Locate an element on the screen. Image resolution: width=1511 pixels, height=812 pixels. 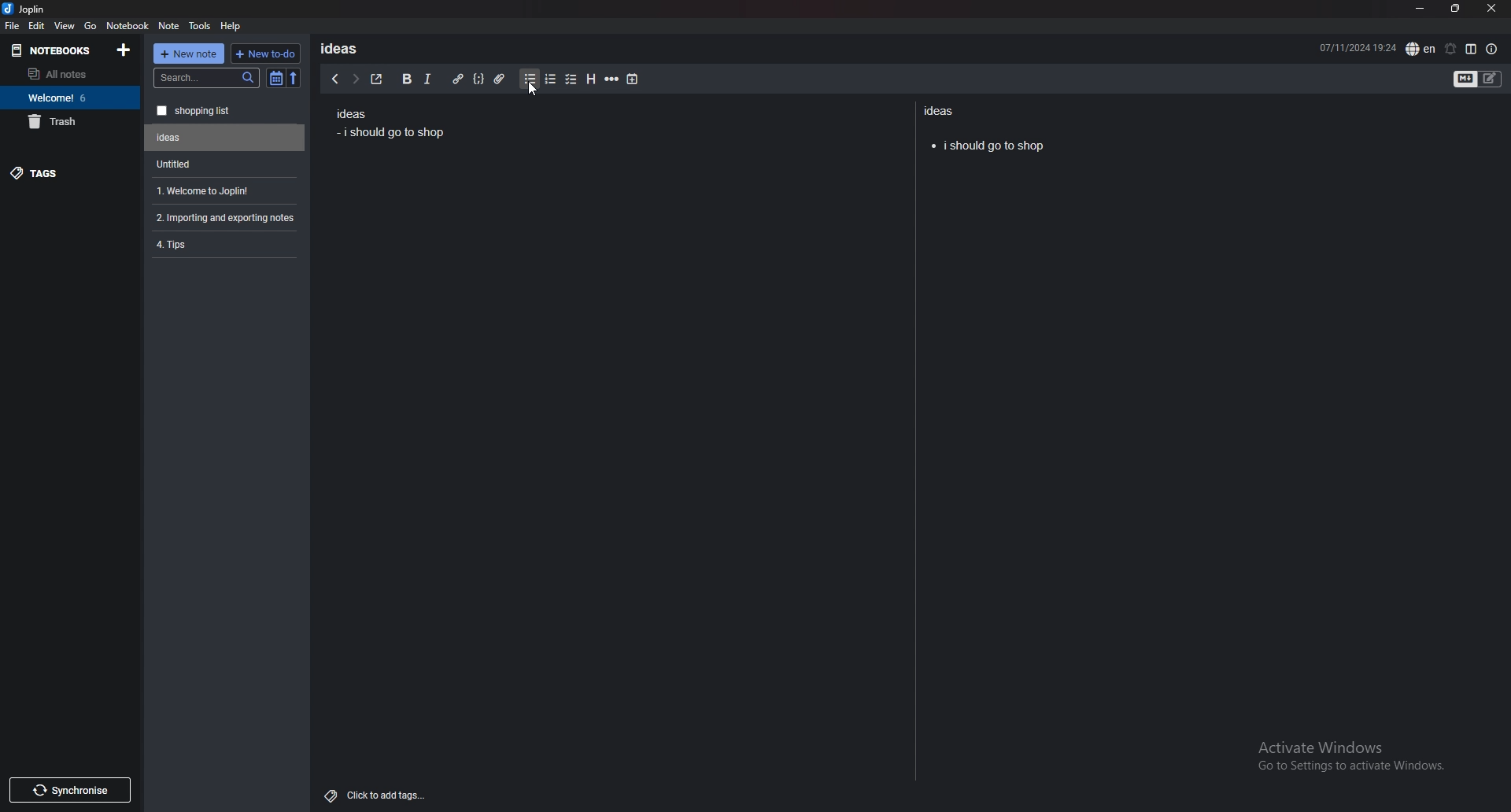
previous is located at coordinates (334, 79).